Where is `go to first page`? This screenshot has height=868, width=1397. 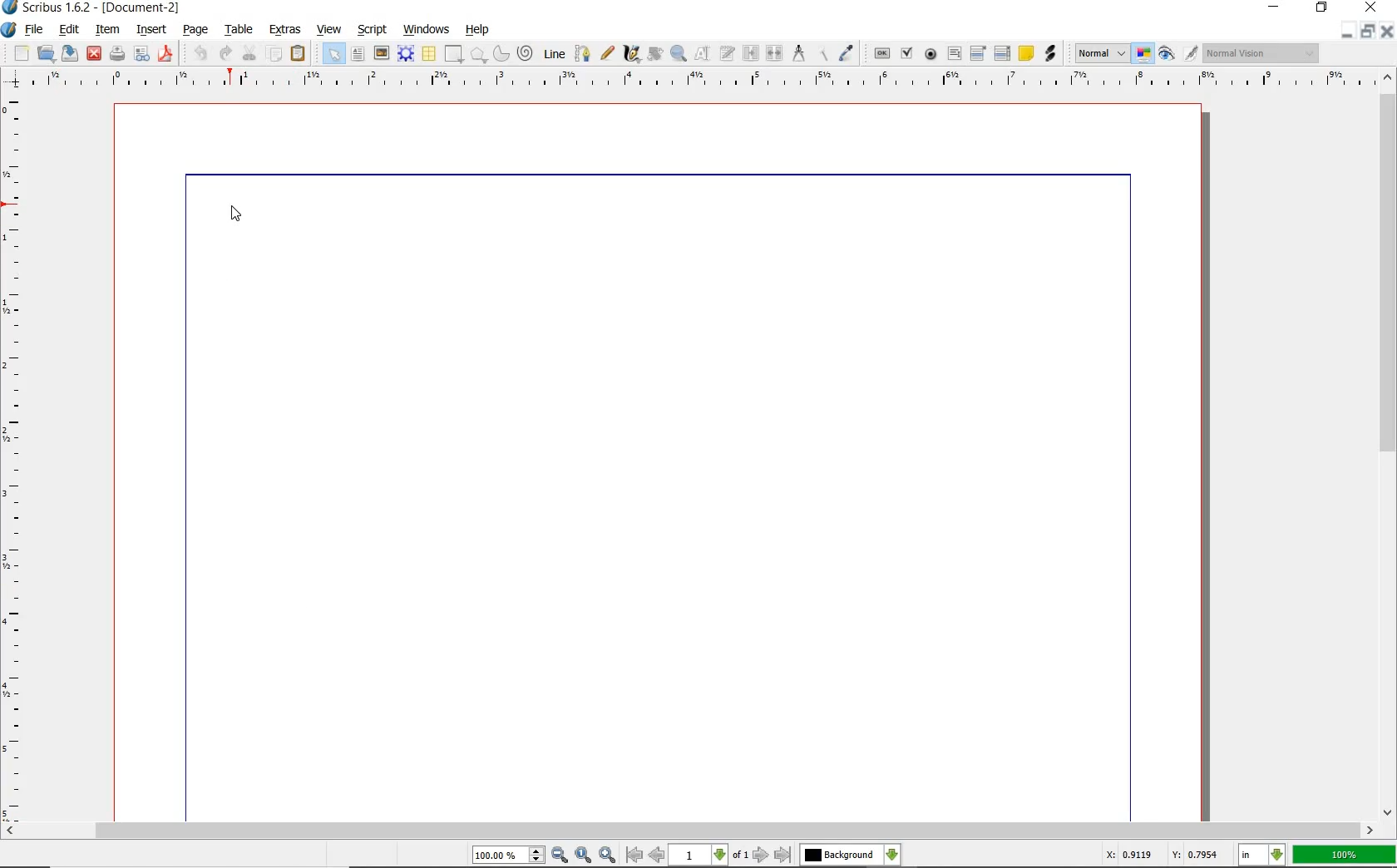
go to first page is located at coordinates (634, 856).